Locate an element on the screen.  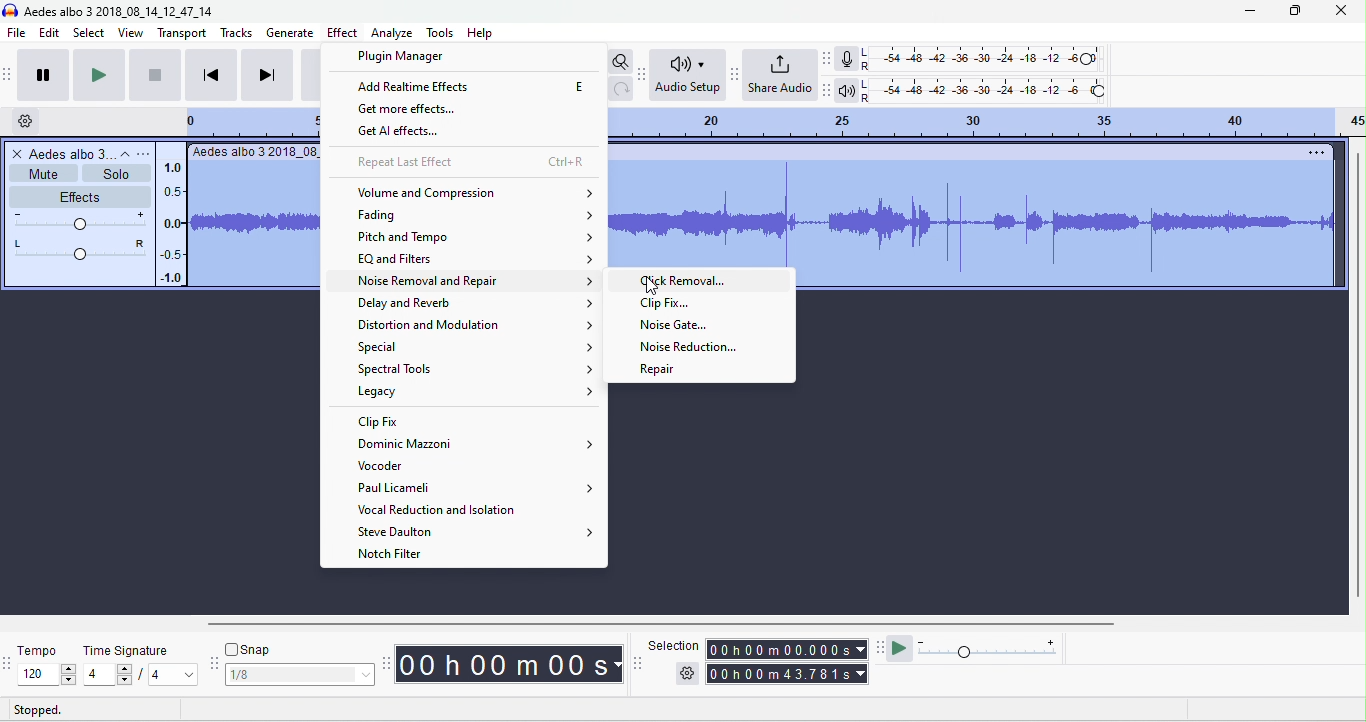
L is located at coordinates (866, 84).